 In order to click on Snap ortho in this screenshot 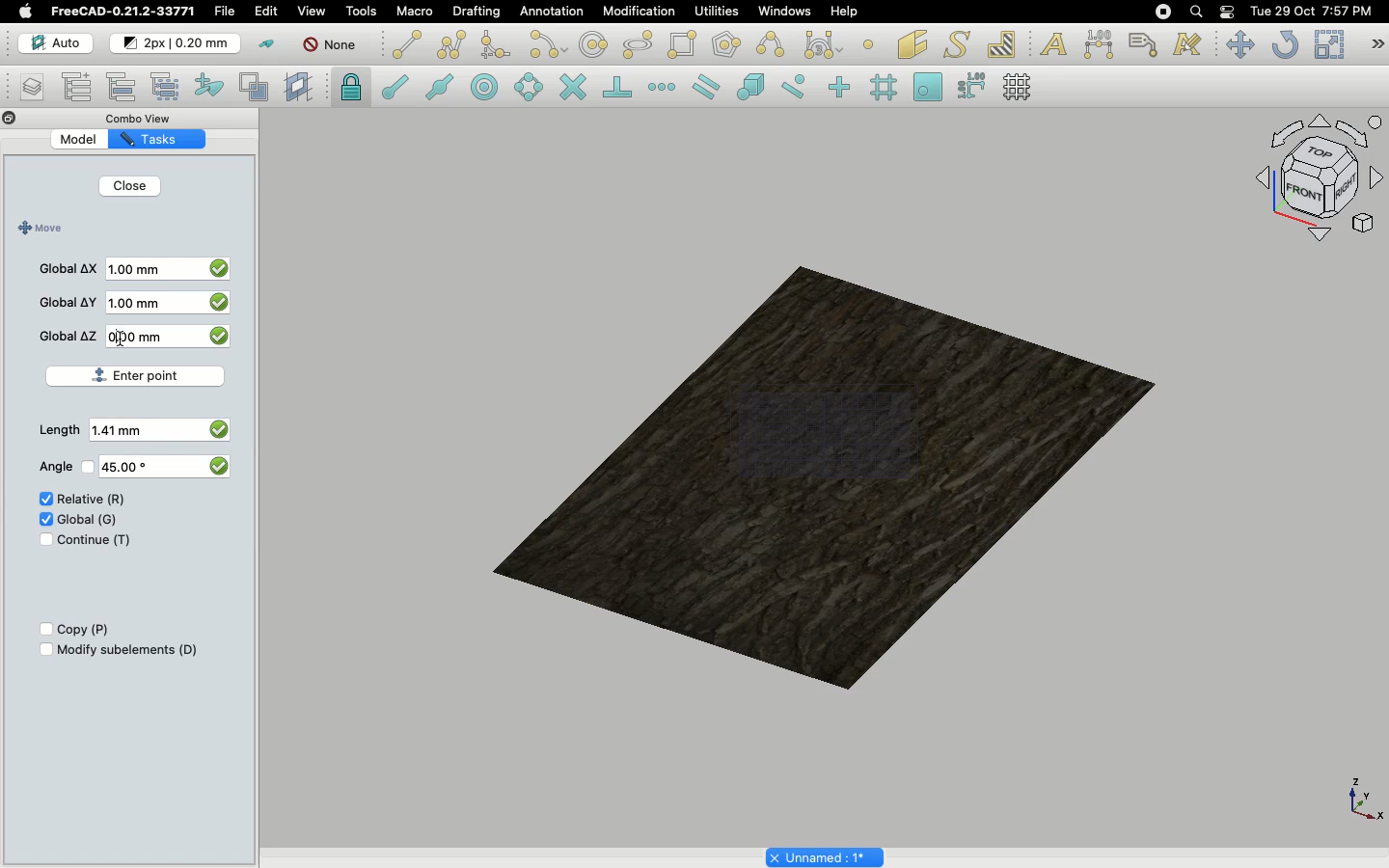, I will do `click(842, 89)`.